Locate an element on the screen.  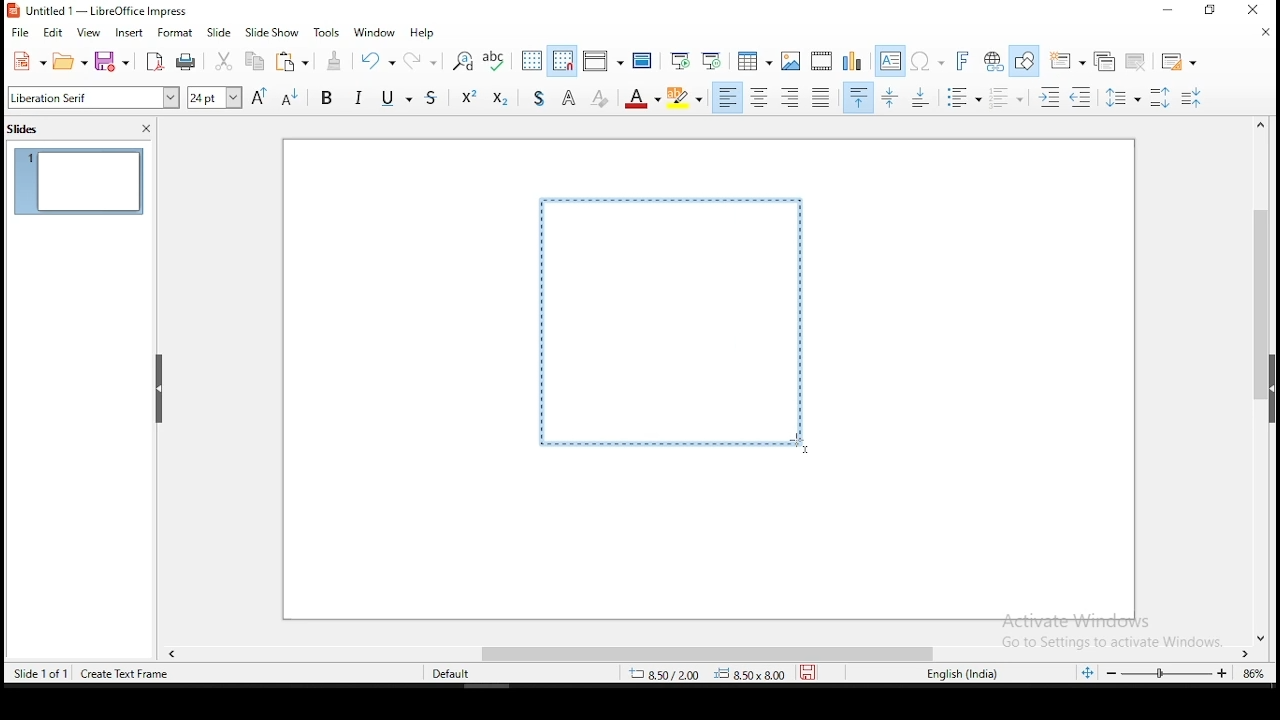
close window is located at coordinates (1256, 12).